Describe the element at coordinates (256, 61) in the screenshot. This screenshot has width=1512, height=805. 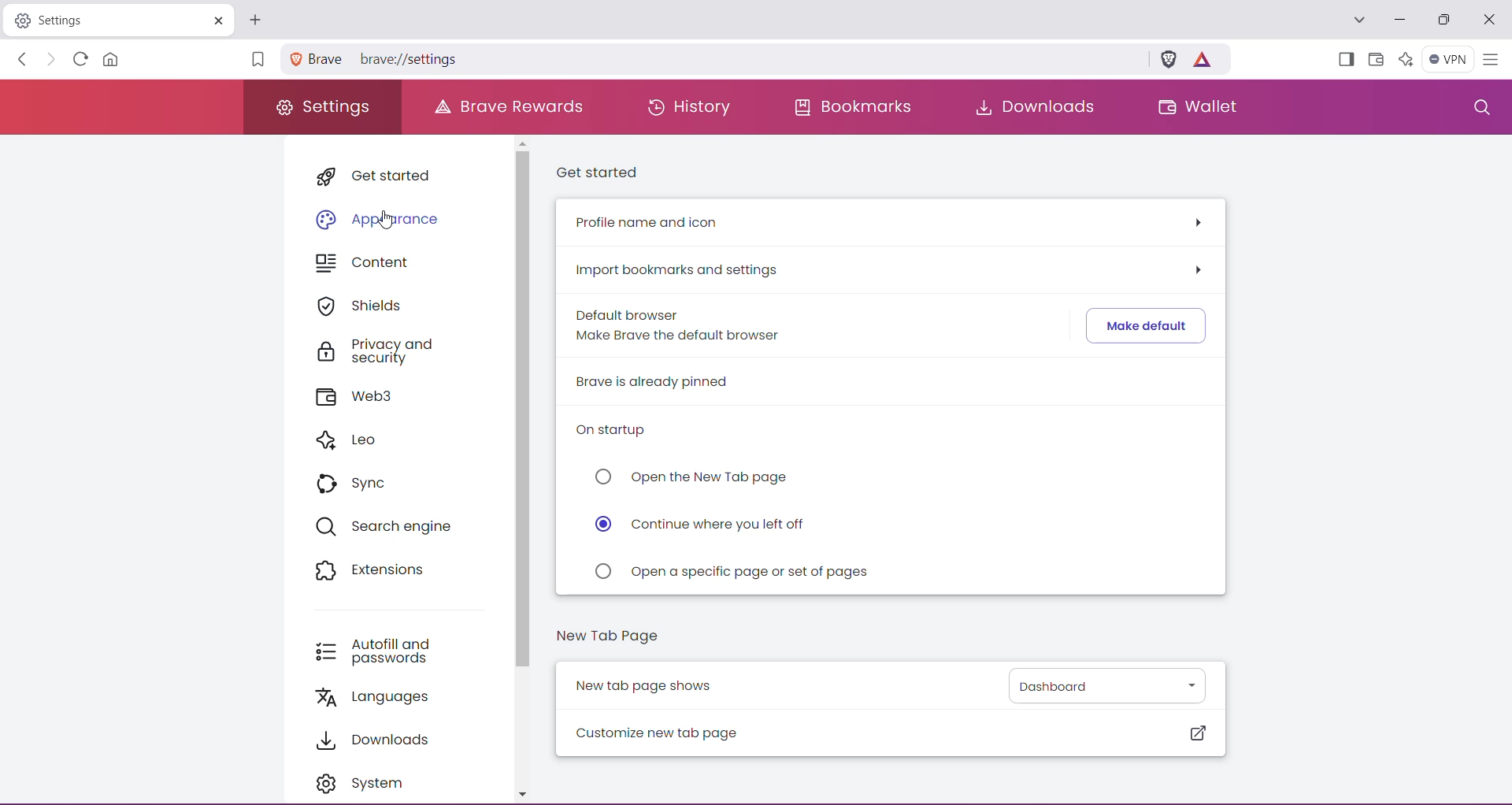
I see `Bookmark this Page` at that location.